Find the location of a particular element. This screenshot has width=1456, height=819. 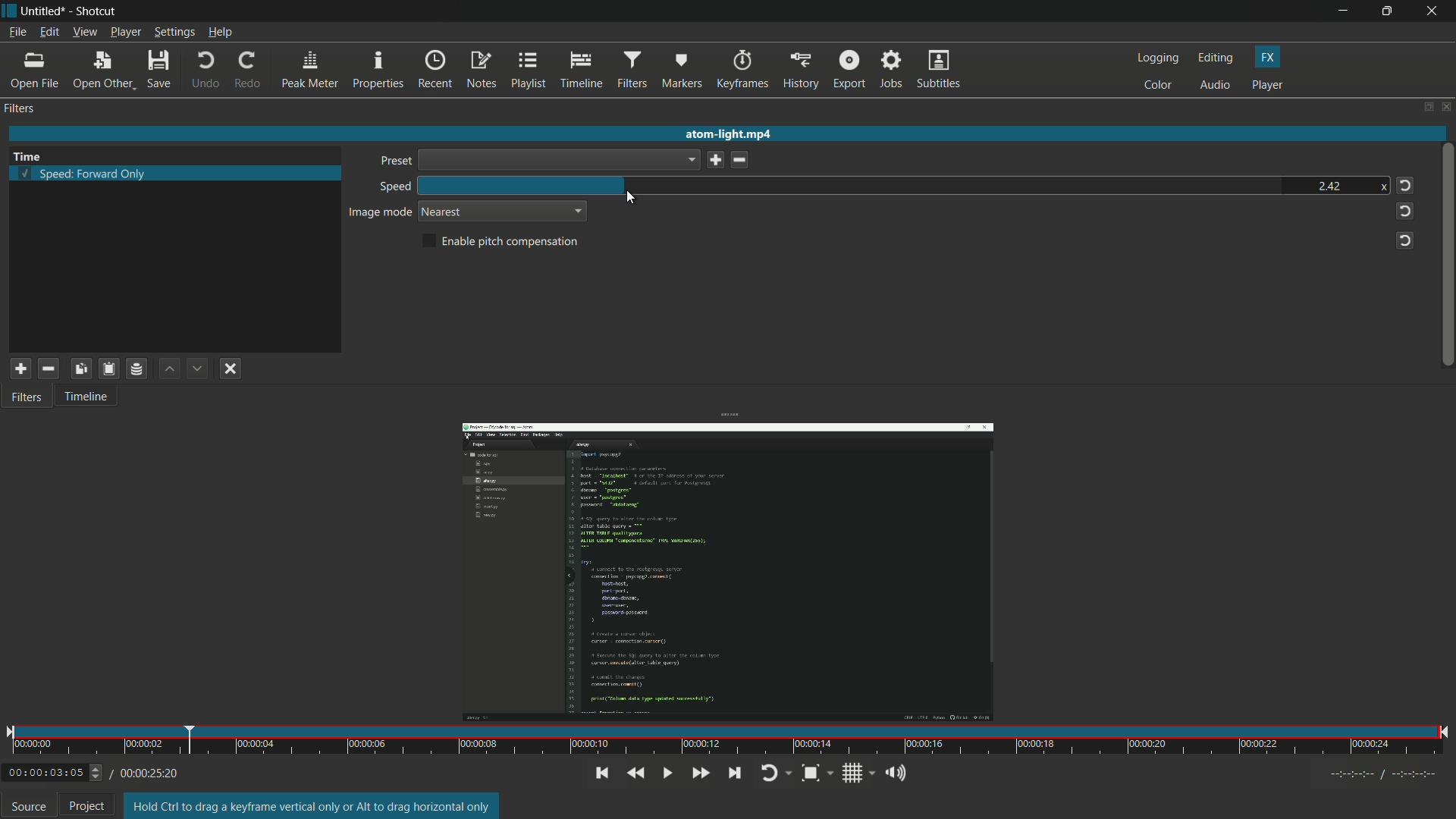

copy checked filter is located at coordinates (80, 369).